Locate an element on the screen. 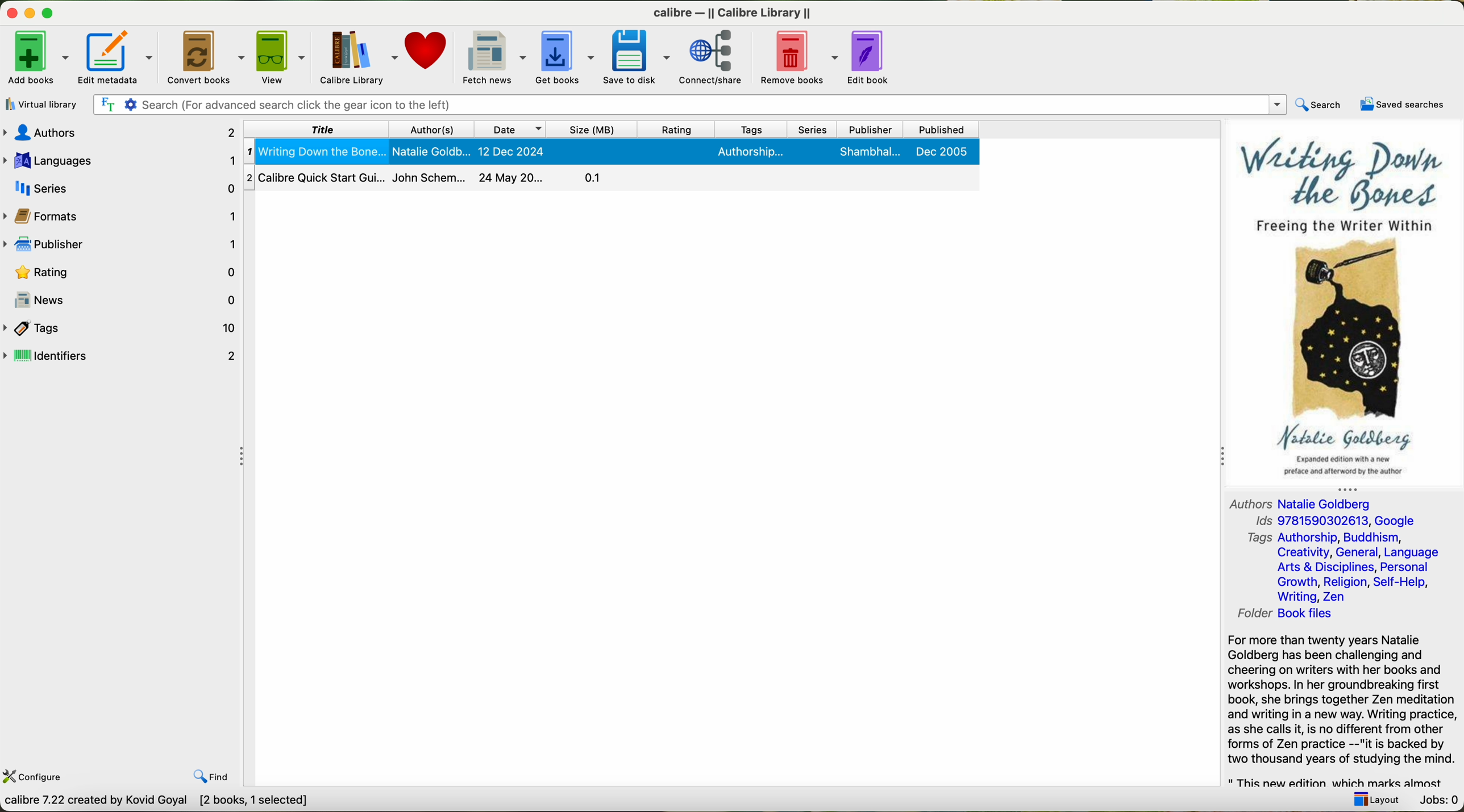  size is located at coordinates (593, 129).